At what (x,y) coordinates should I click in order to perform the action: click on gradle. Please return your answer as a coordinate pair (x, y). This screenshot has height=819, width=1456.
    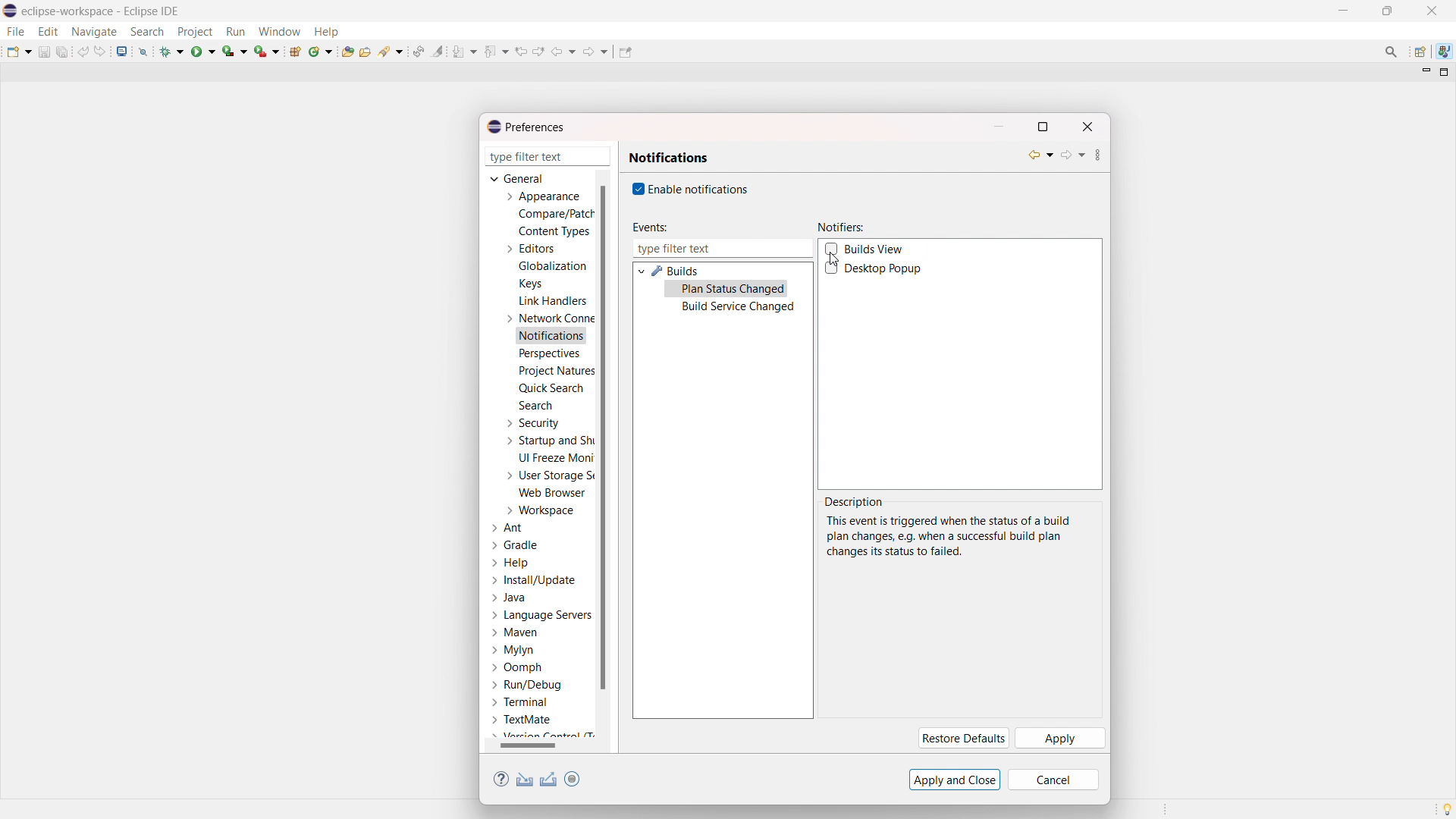
    Looking at the image, I should click on (516, 545).